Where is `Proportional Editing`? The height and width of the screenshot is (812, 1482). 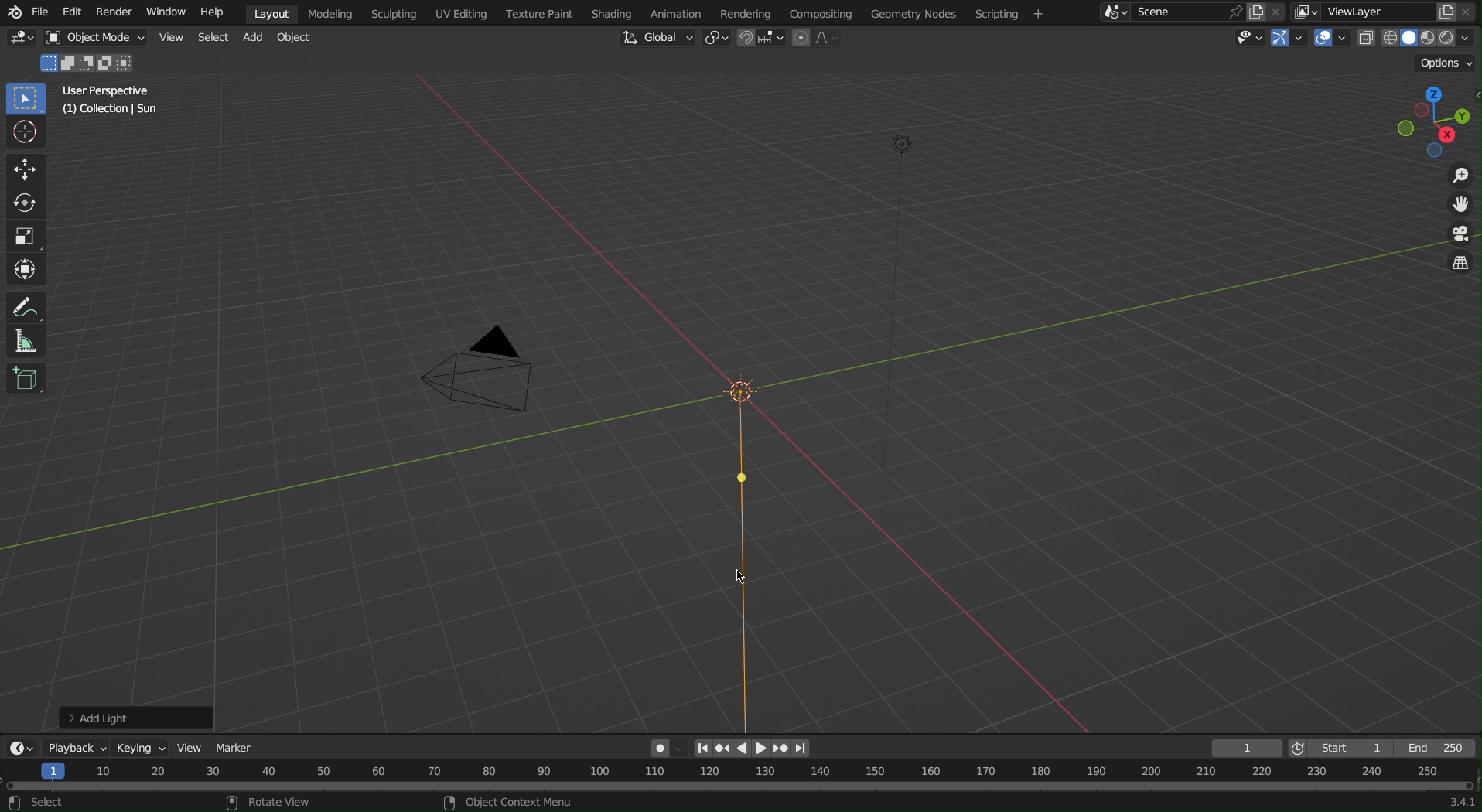
Proportional Editing is located at coordinates (821, 39).